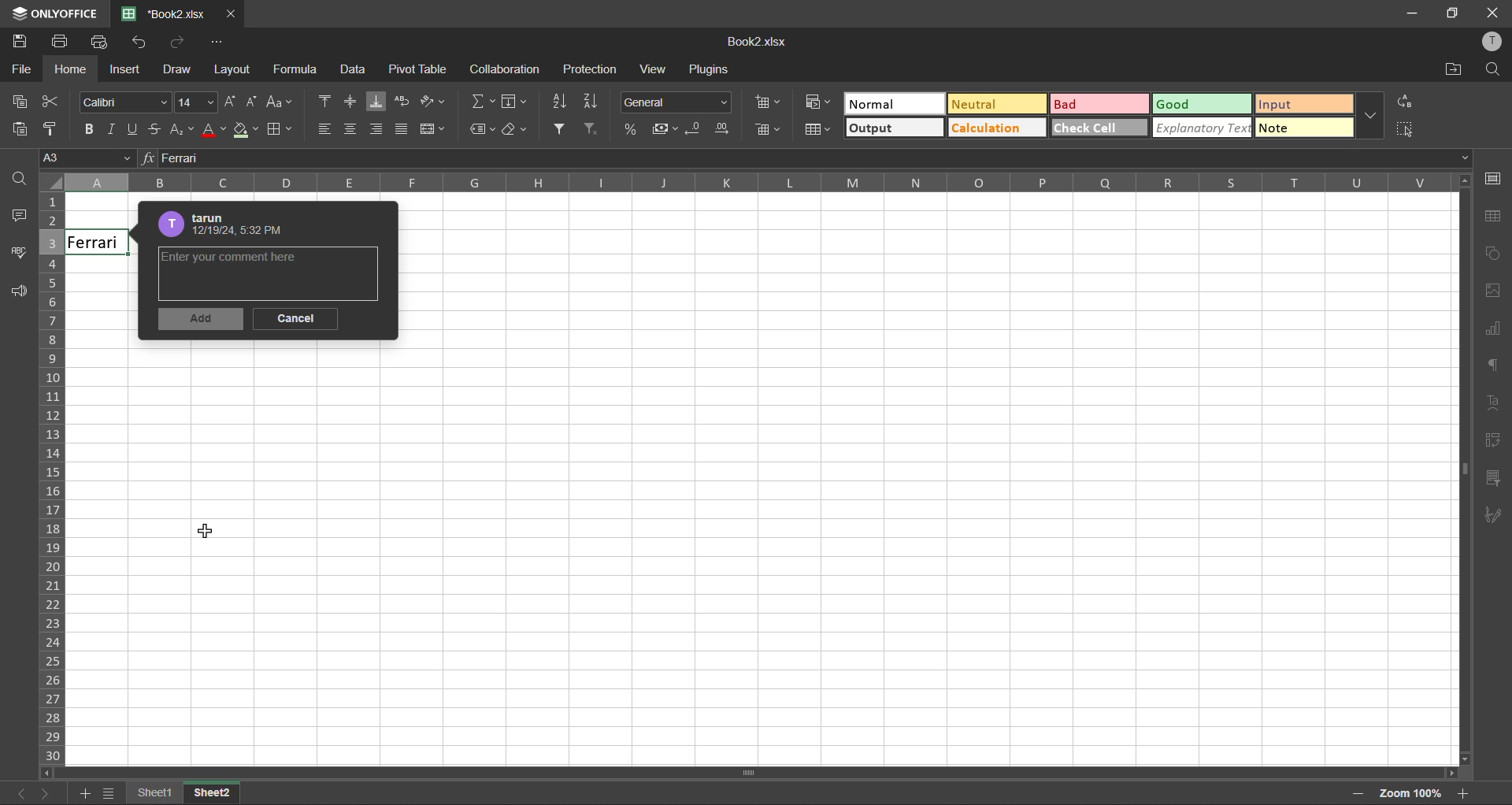 This screenshot has width=1512, height=805. Describe the element at coordinates (124, 101) in the screenshot. I see `font style` at that location.